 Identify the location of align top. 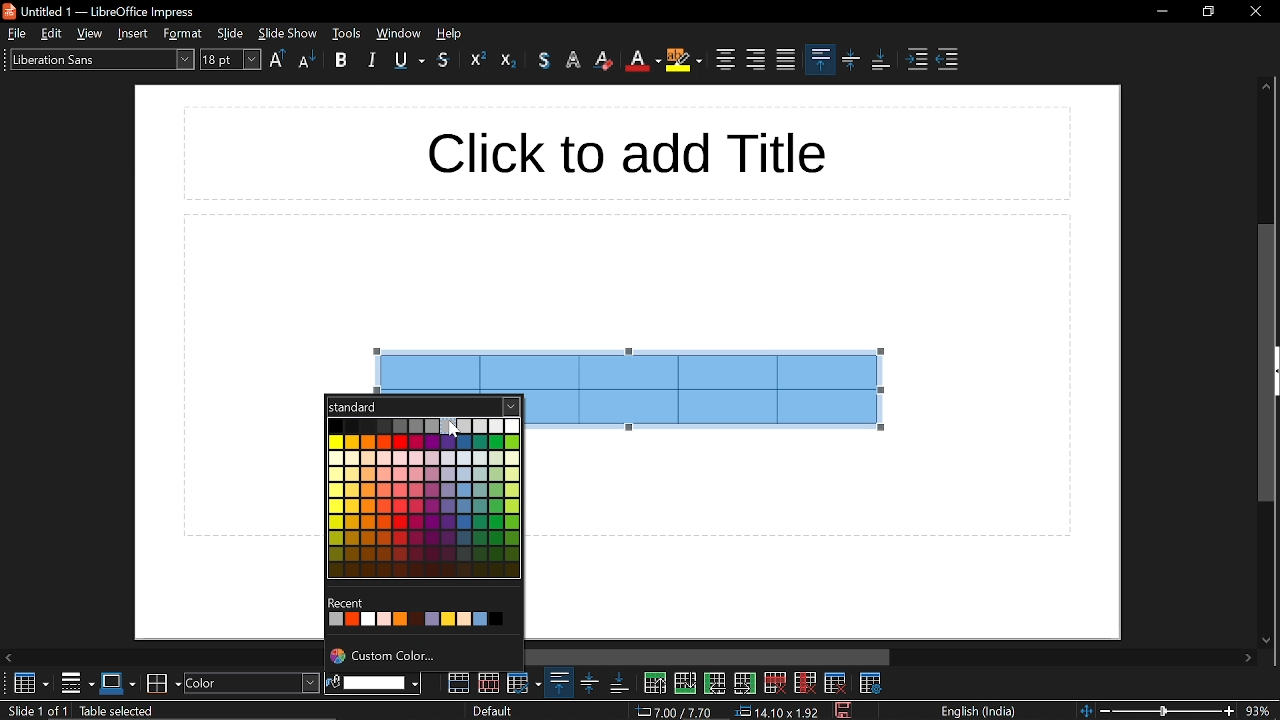
(821, 59).